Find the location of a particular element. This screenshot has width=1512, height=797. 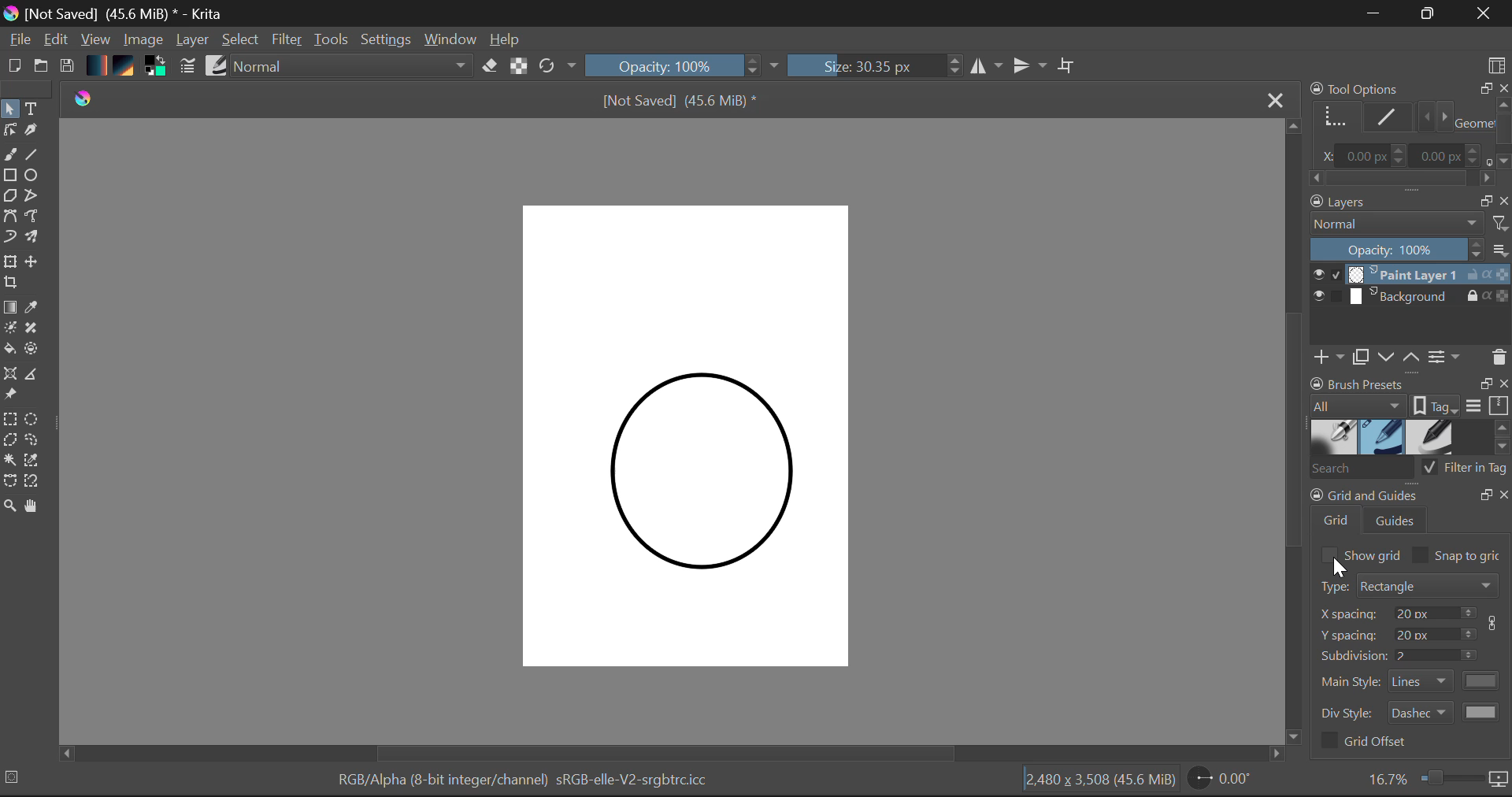

Line is located at coordinates (34, 154).